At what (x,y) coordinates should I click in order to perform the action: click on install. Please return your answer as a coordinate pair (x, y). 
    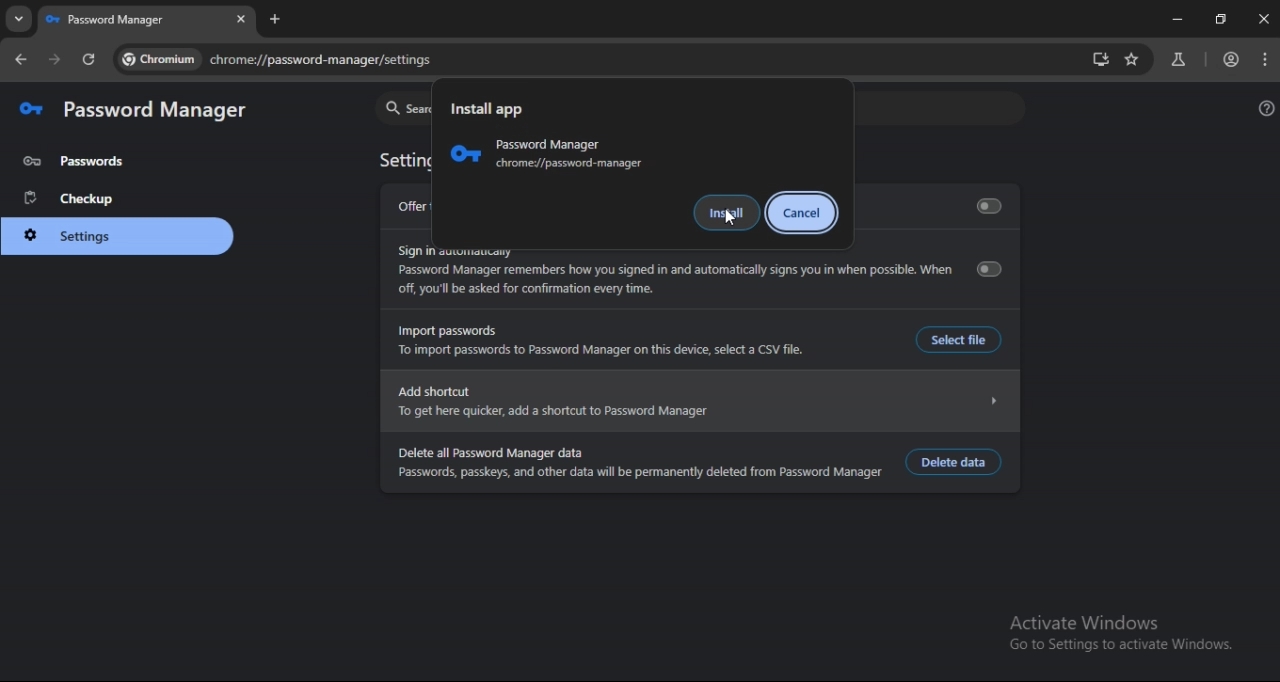
    Looking at the image, I should click on (728, 212).